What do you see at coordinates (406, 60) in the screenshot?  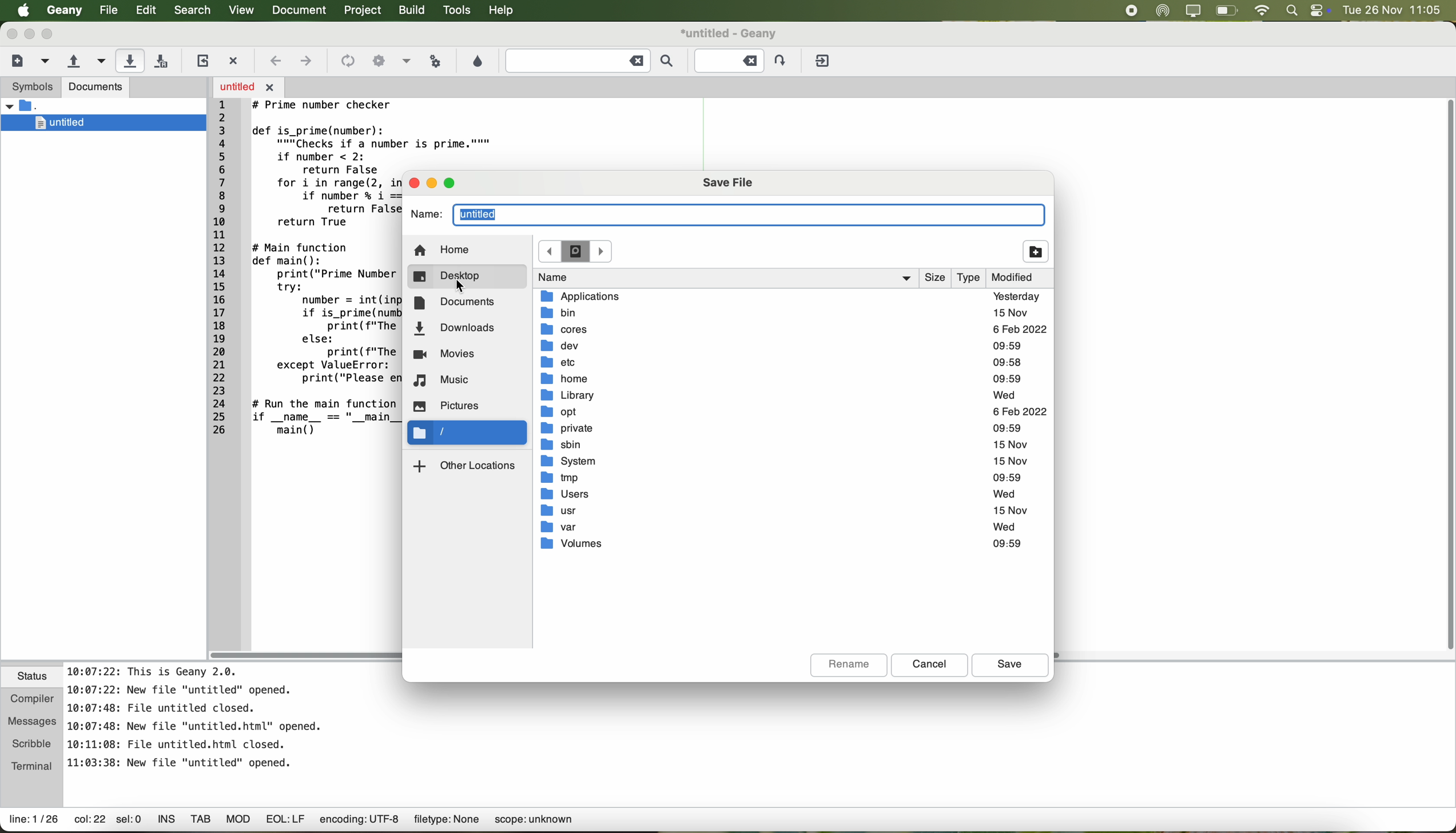 I see `option` at bounding box center [406, 60].